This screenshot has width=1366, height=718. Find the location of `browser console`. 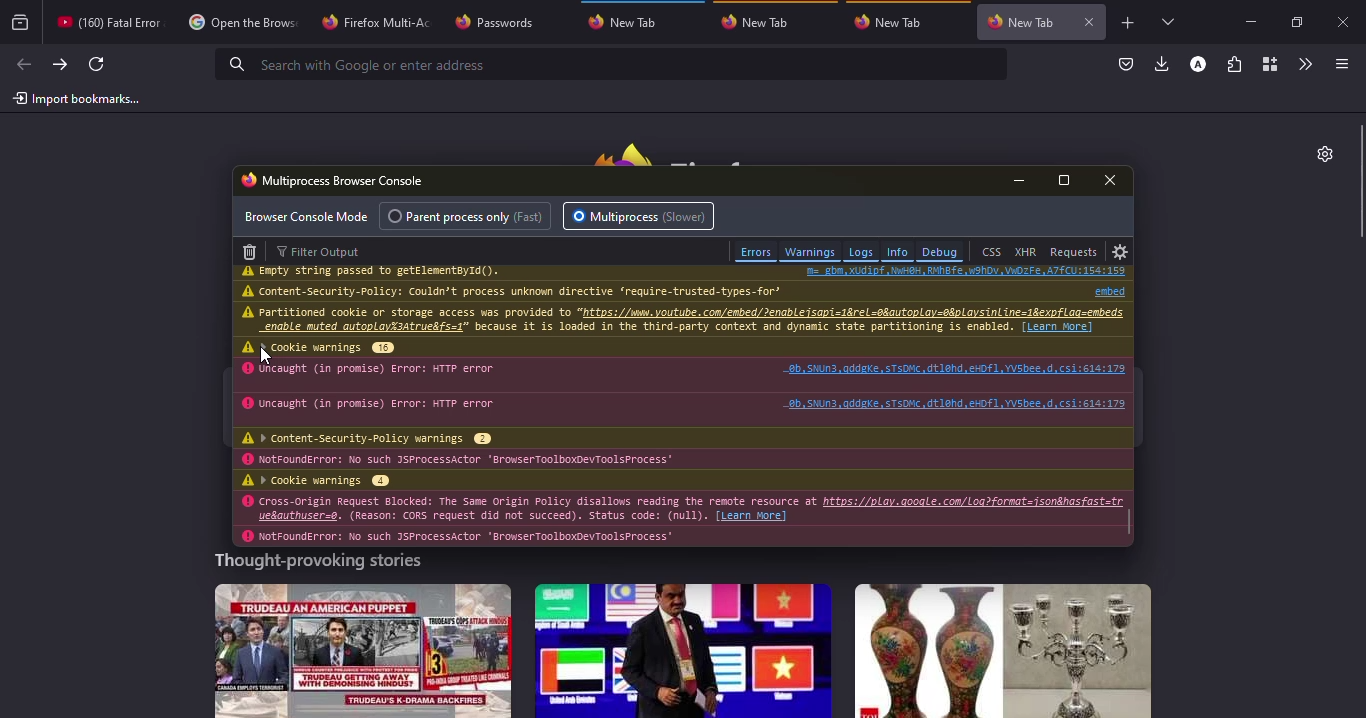

browser console is located at coordinates (334, 179).